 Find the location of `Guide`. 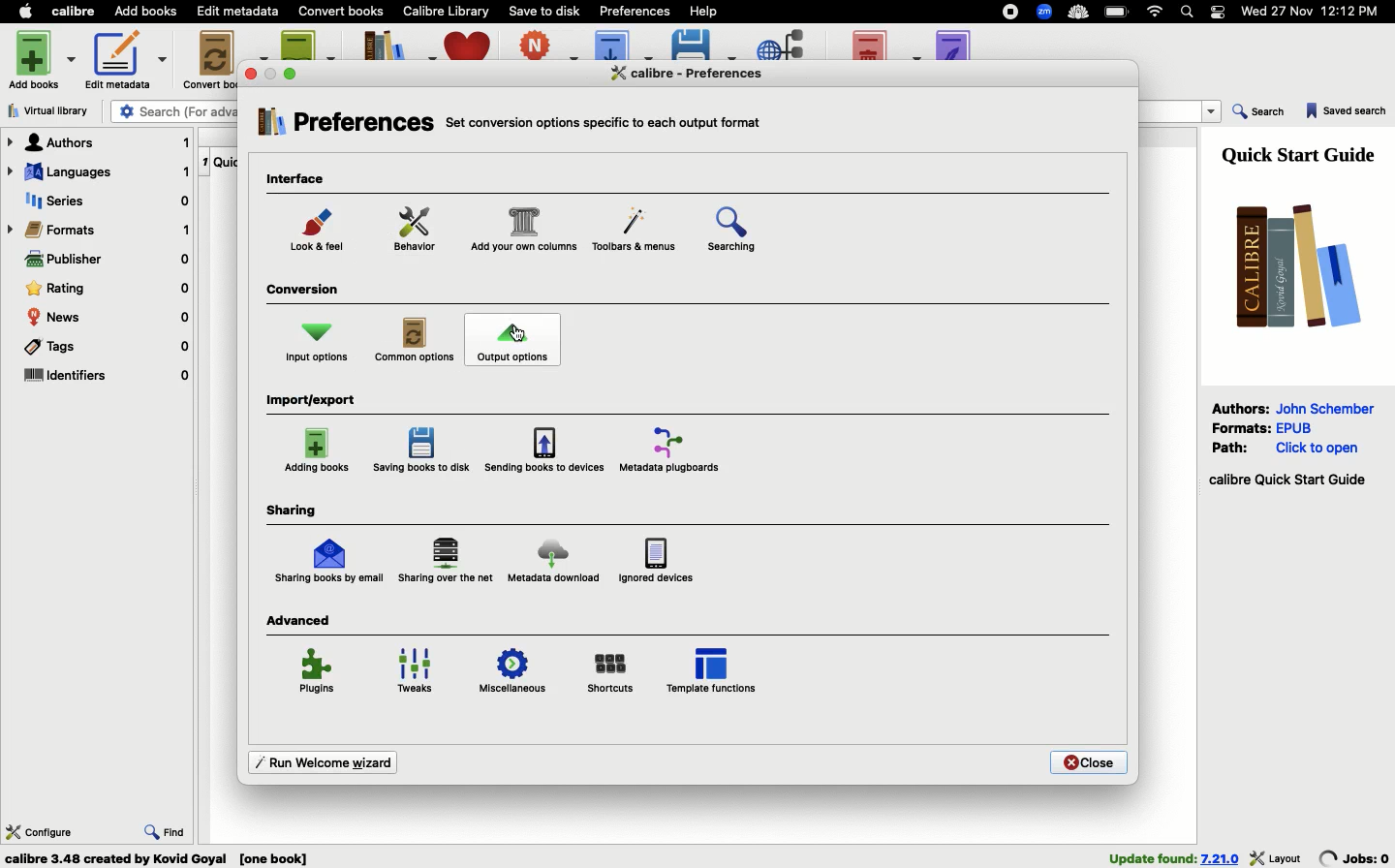

Guide is located at coordinates (1303, 153).